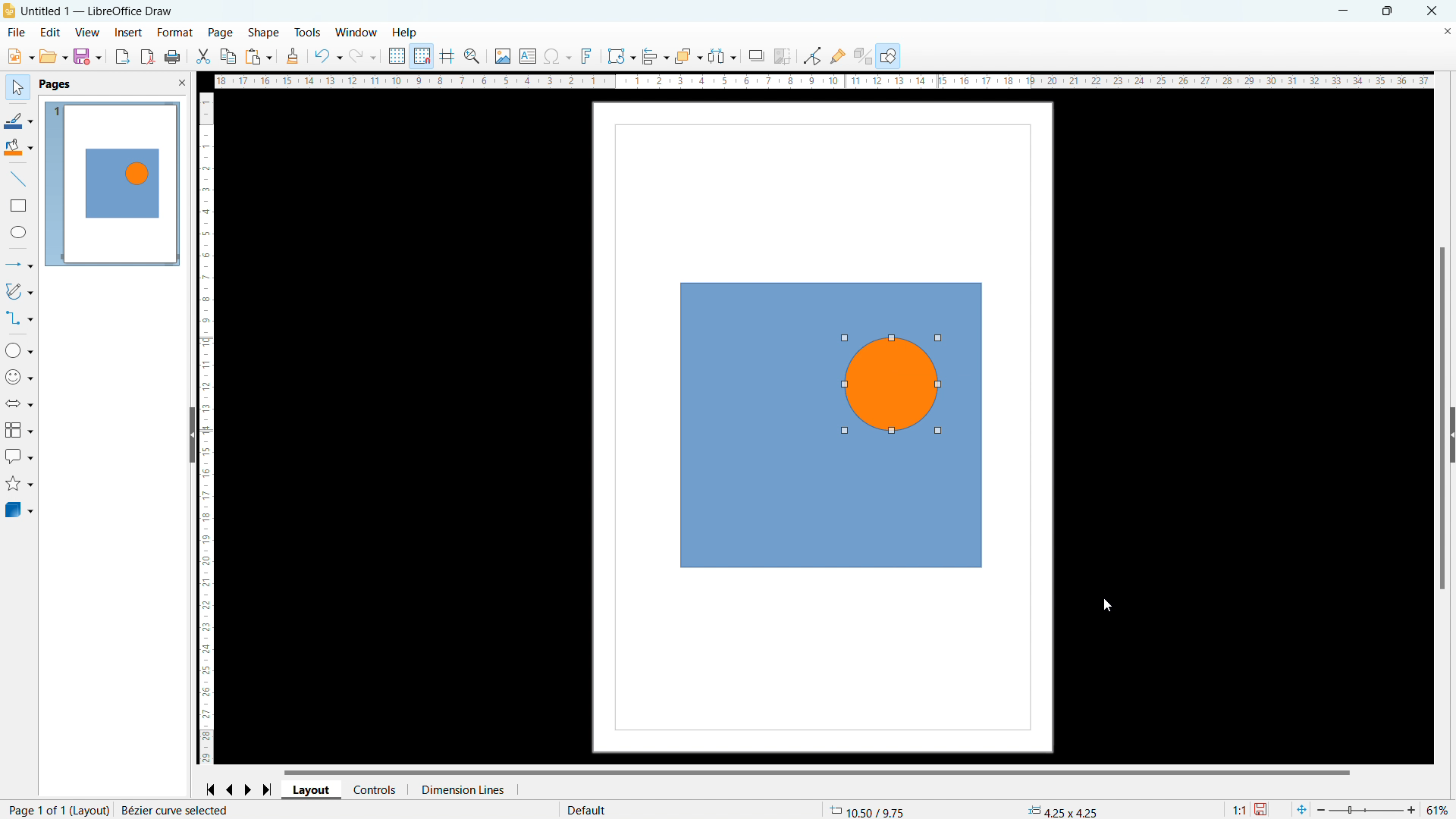 This screenshot has width=1456, height=819. Describe the element at coordinates (817, 771) in the screenshot. I see `horizontal scrollbar` at that location.